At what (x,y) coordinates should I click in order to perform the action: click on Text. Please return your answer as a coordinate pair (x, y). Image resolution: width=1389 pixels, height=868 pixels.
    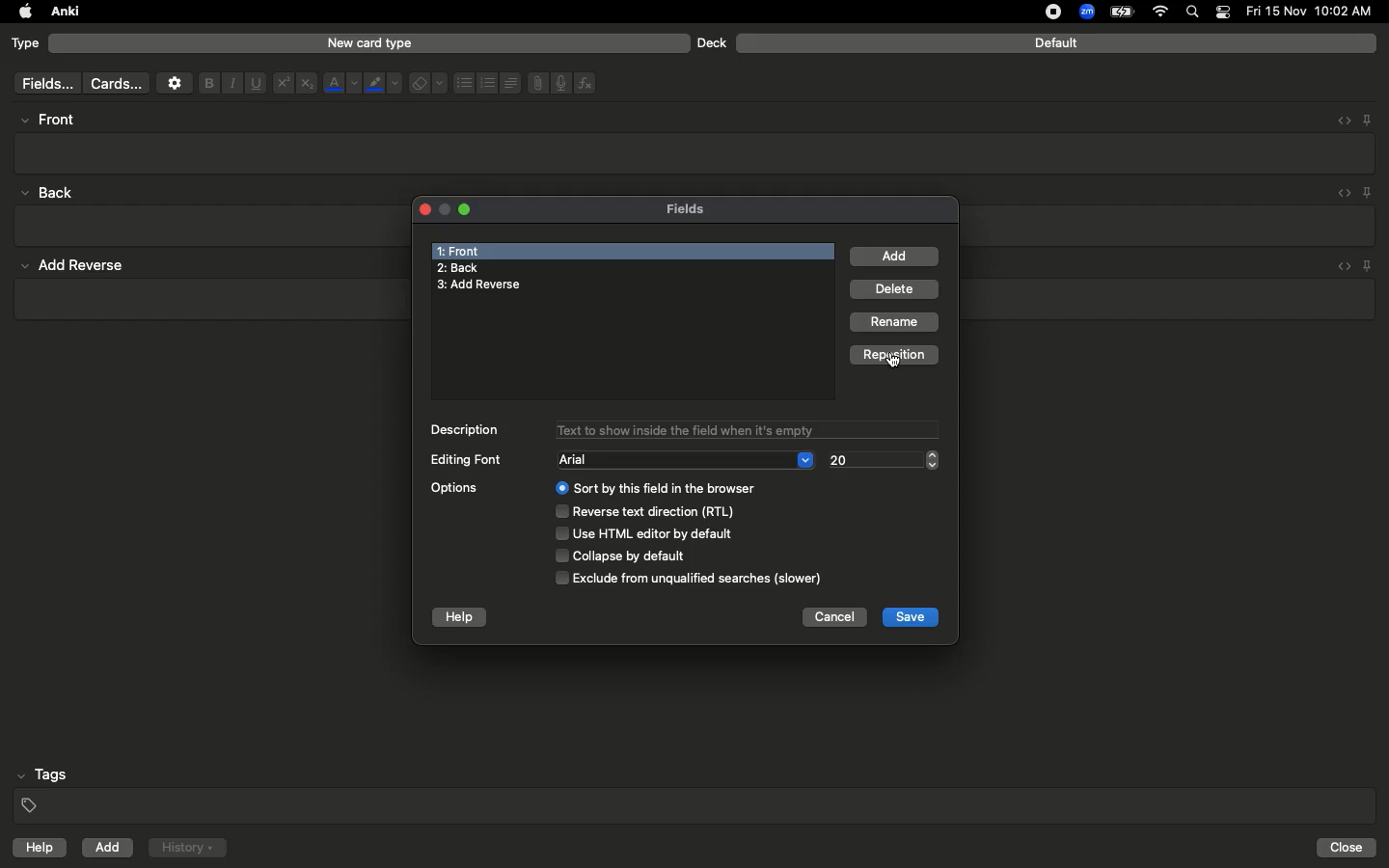
    Looking at the image, I should click on (746, 428).